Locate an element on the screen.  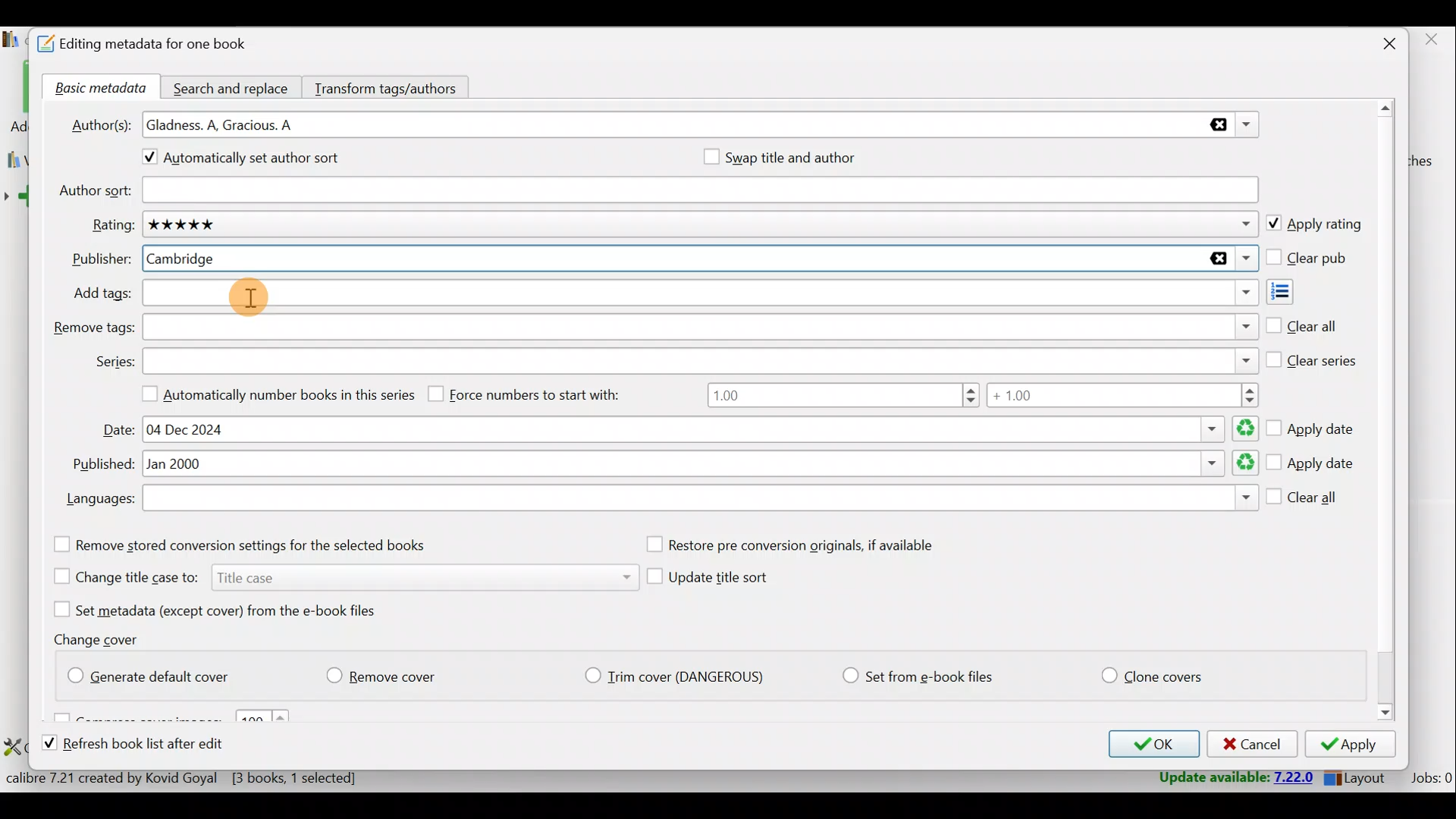
Editing metadata for one book is located at coordinates (161, 45).